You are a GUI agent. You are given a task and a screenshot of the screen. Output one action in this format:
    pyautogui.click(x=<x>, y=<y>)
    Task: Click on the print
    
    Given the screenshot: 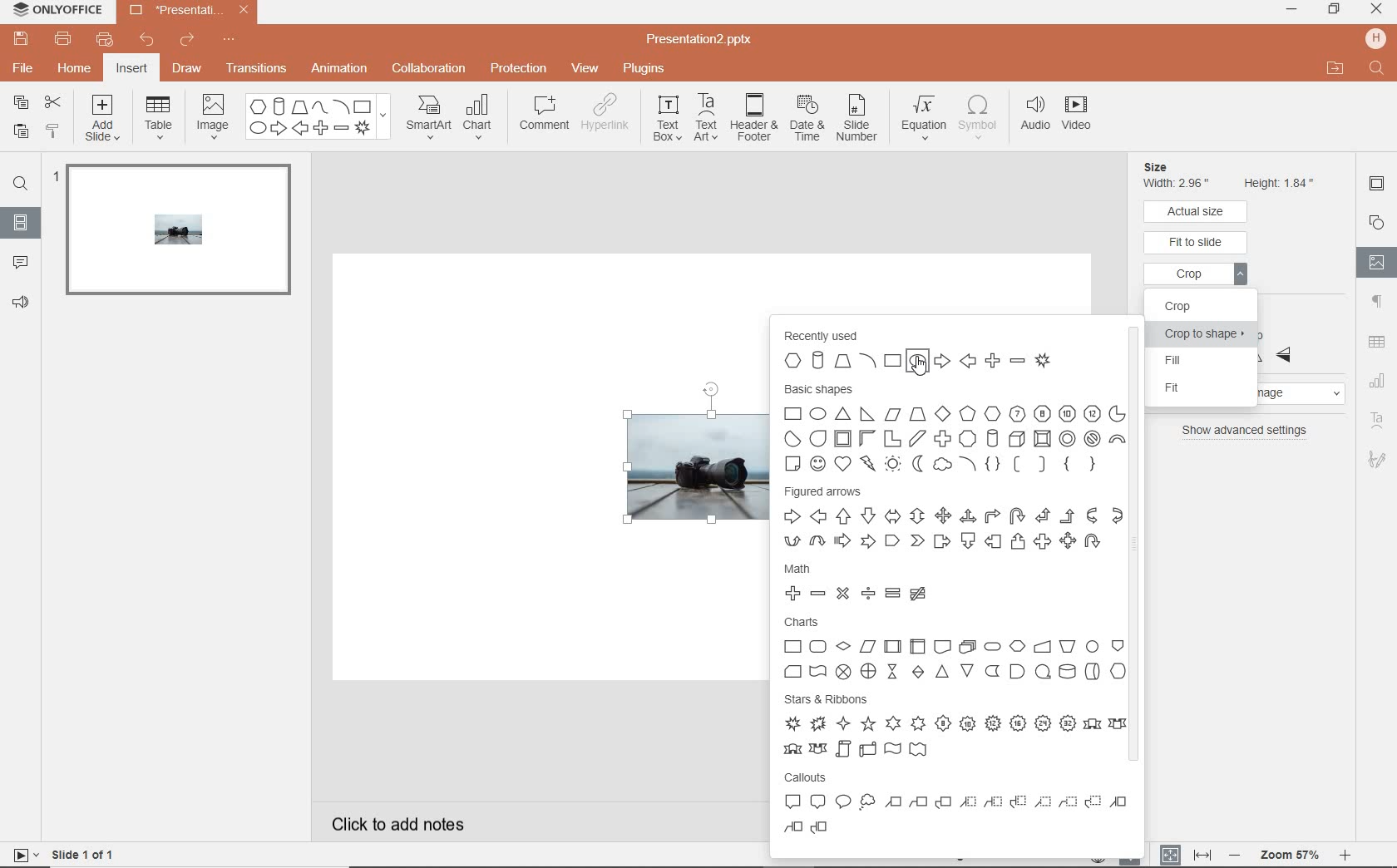 What is the action you would take?
    pyautogui.click(x=64, y=39)
    